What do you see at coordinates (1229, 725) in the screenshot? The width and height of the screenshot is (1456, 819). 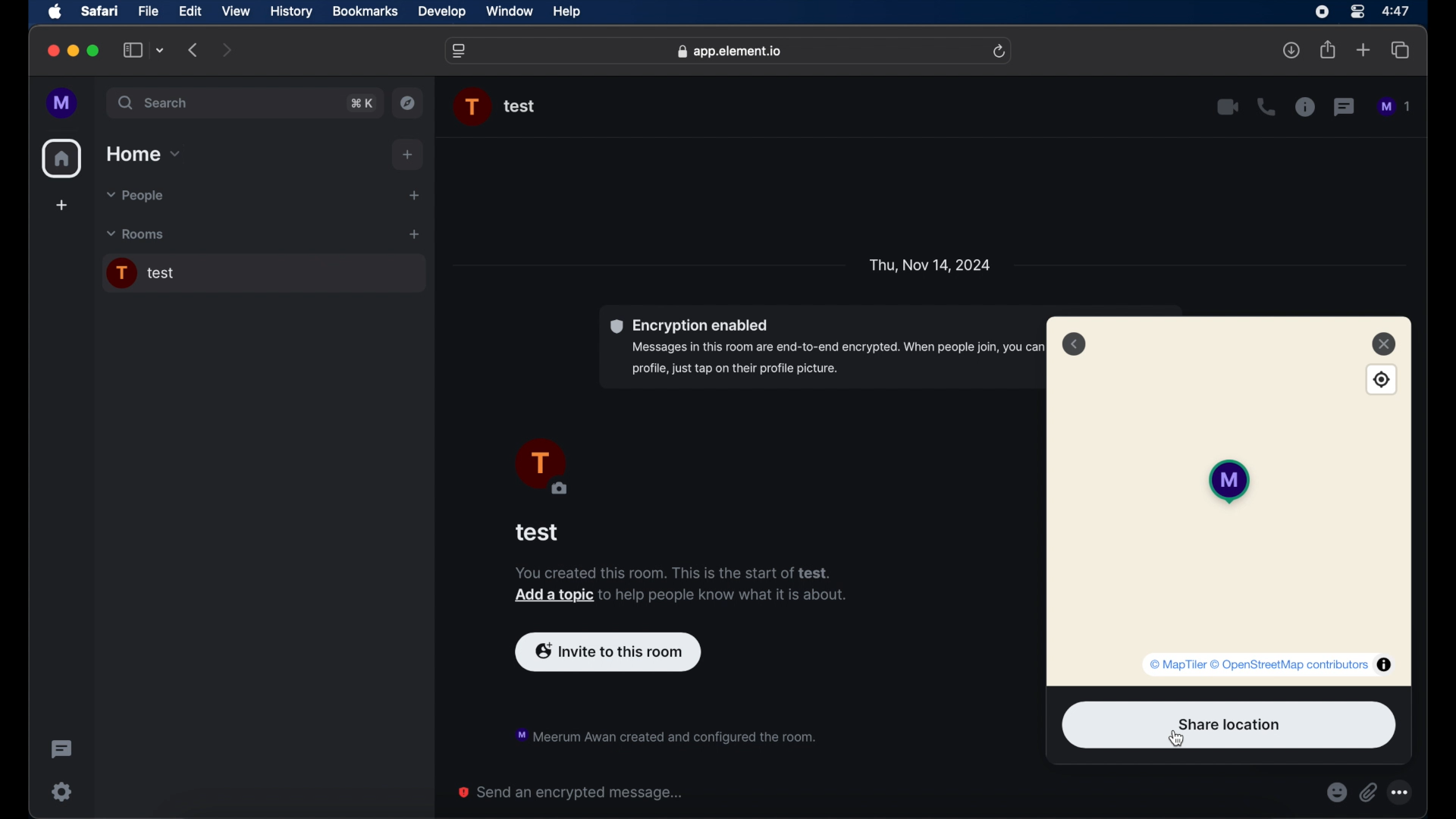 I see `share location` at bounding box center [1229, 725].